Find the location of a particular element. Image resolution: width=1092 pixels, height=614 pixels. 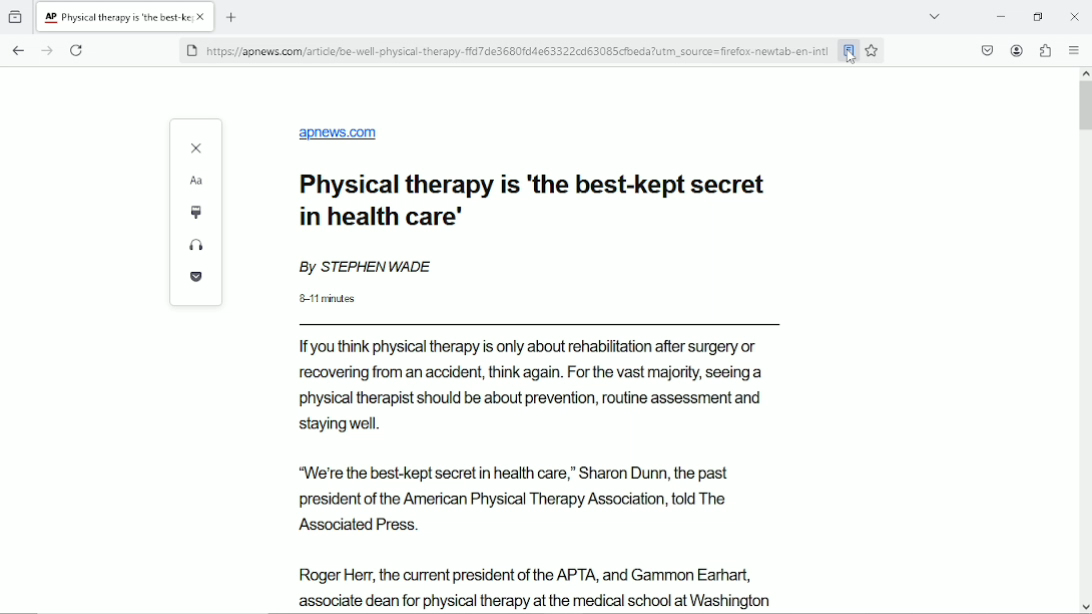

view recent browsing is located at coordinates (17, 18).